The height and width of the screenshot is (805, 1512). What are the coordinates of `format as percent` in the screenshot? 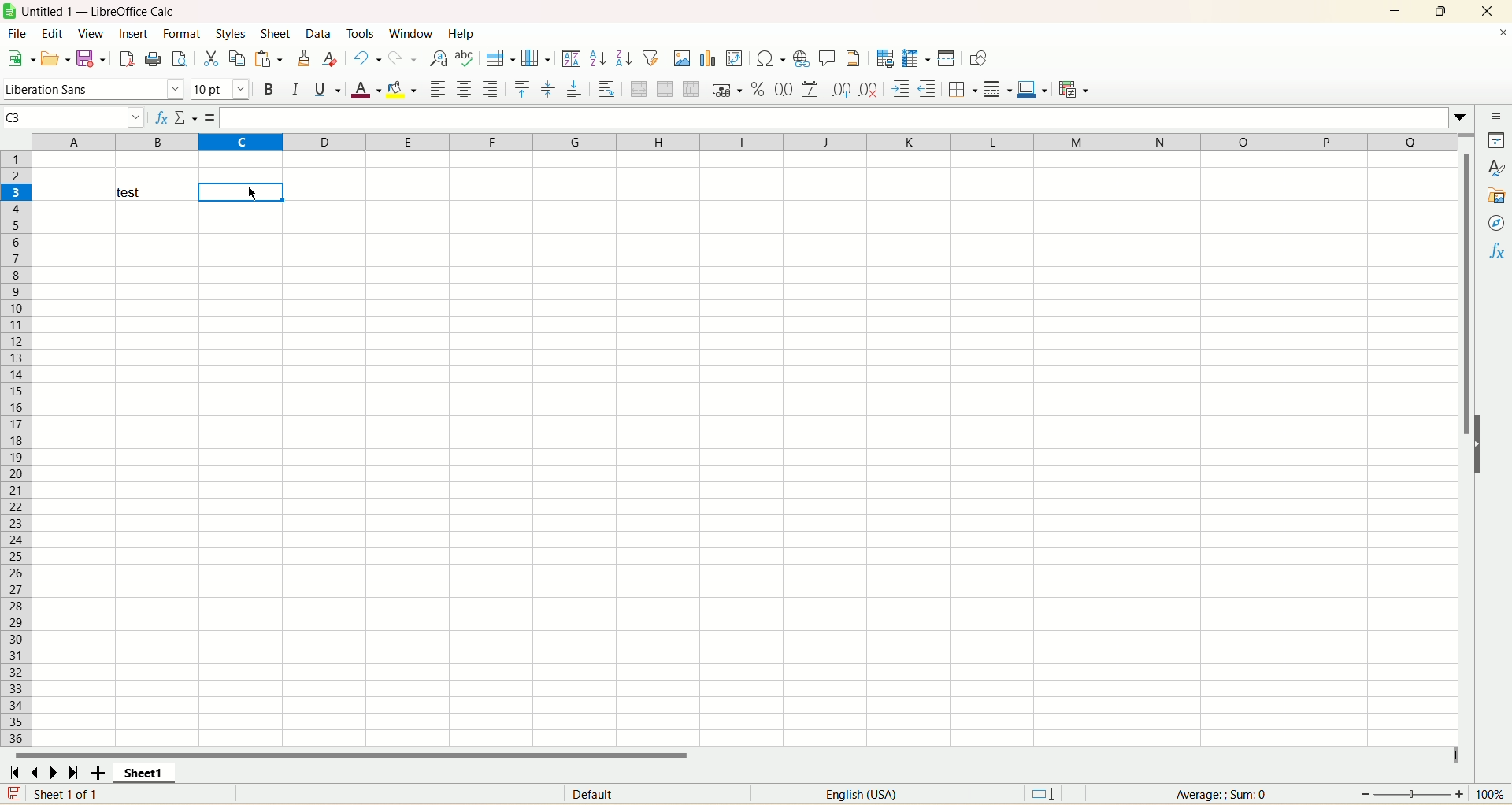 It's located at (758, 89).